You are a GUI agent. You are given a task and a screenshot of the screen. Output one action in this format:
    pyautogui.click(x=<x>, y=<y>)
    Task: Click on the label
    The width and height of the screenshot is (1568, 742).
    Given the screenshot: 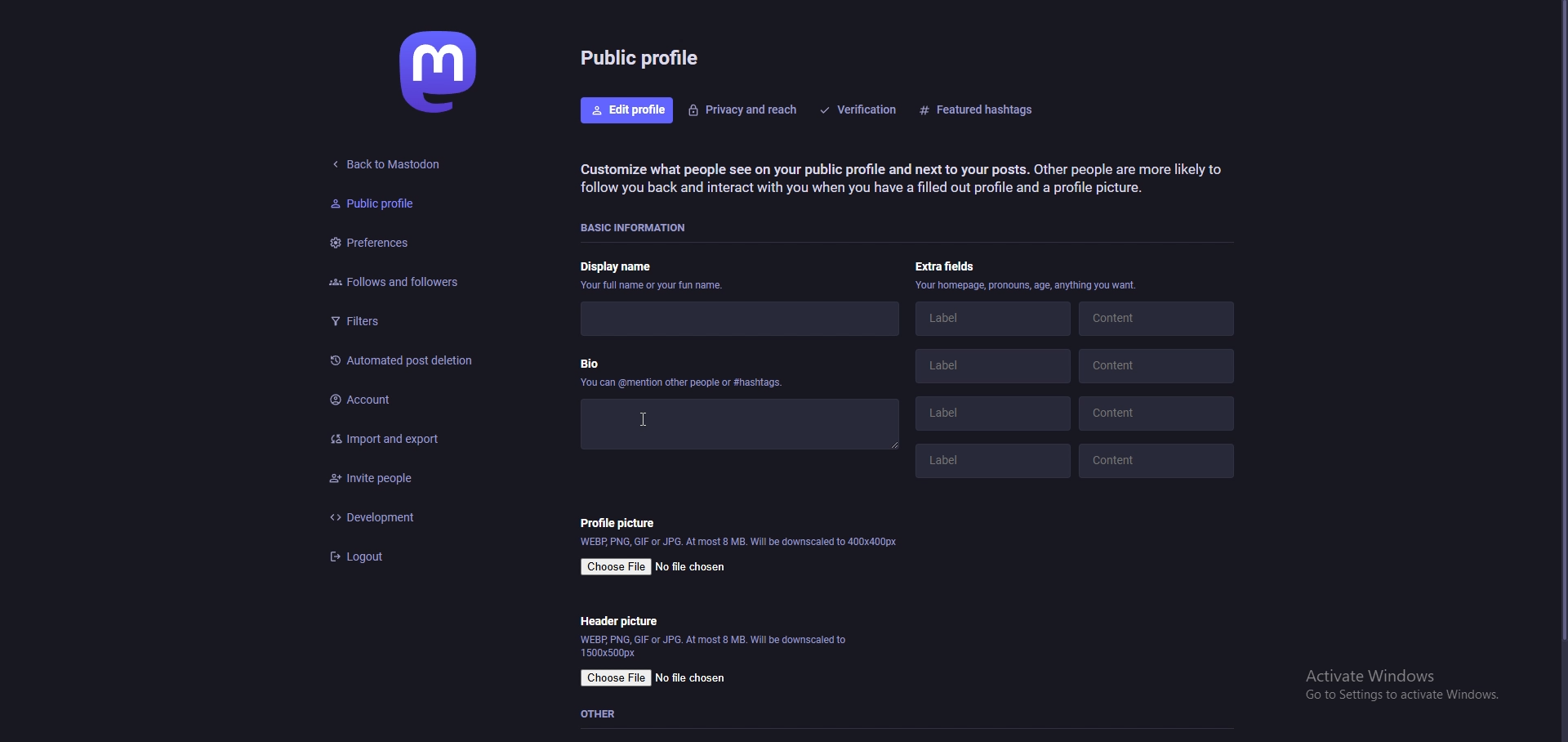 What is the action you would take?
    pyautogui.click(x=993, y=318)
    